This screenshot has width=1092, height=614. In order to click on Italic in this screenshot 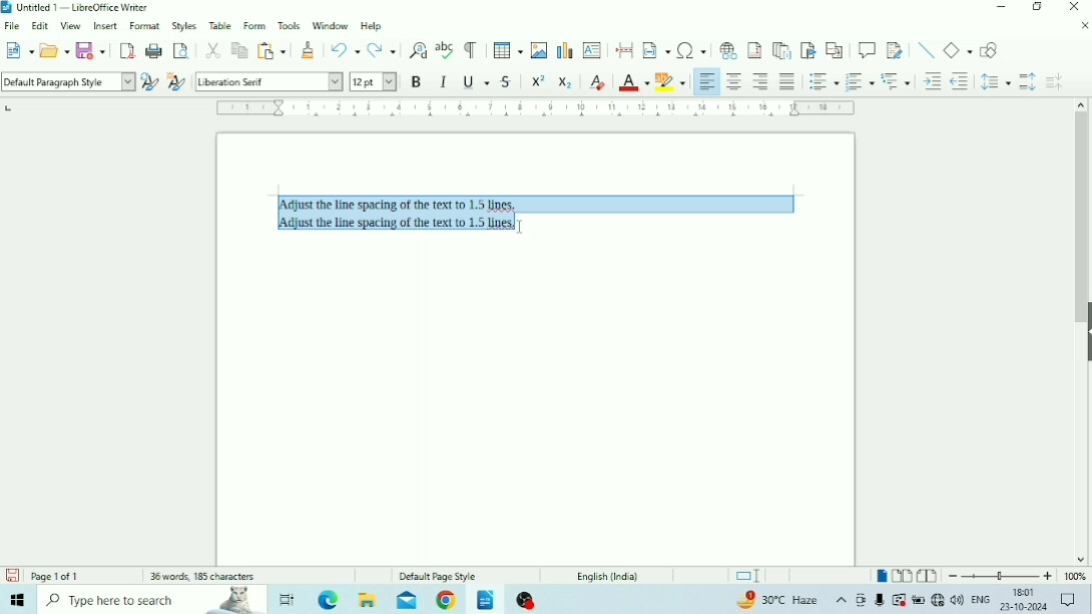, I will do `click(444, 82)`.